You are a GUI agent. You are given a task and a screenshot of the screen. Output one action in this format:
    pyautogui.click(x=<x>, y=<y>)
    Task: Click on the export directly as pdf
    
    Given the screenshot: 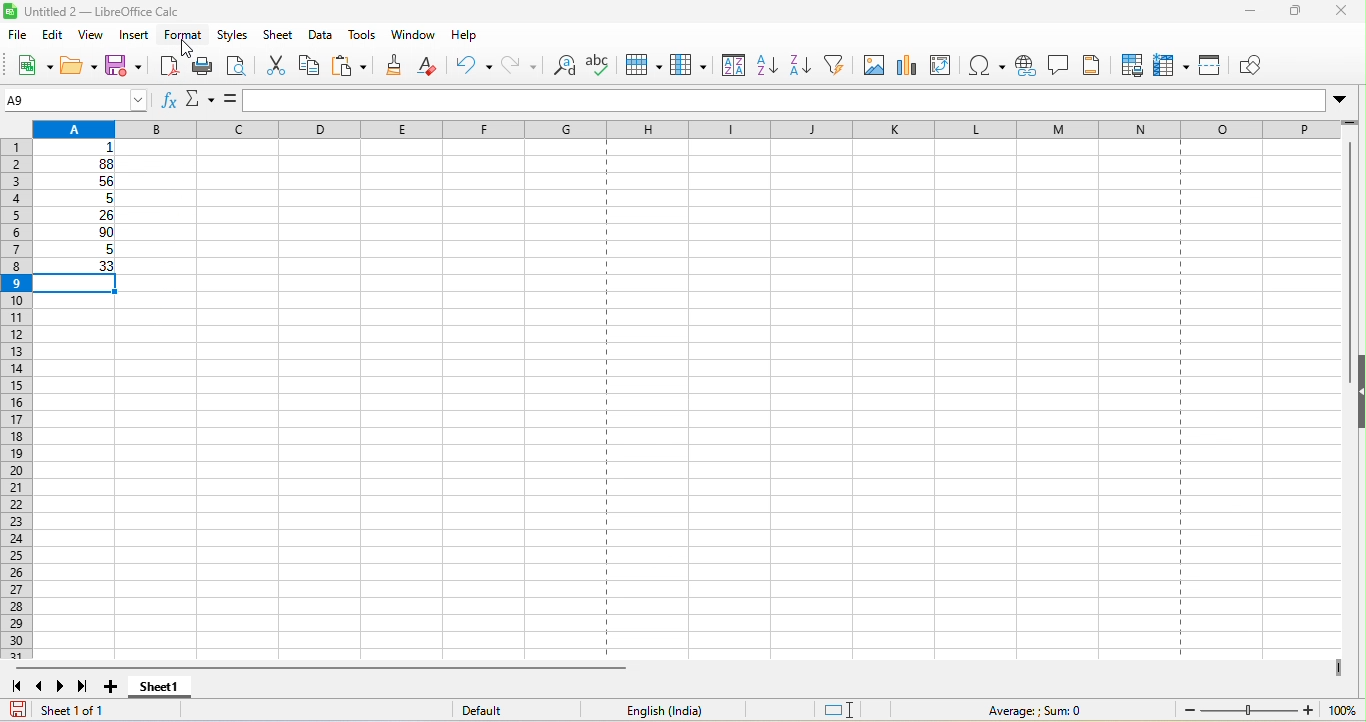 What is the action you would take?
    pyautogui.click(x=172, y=68)
    